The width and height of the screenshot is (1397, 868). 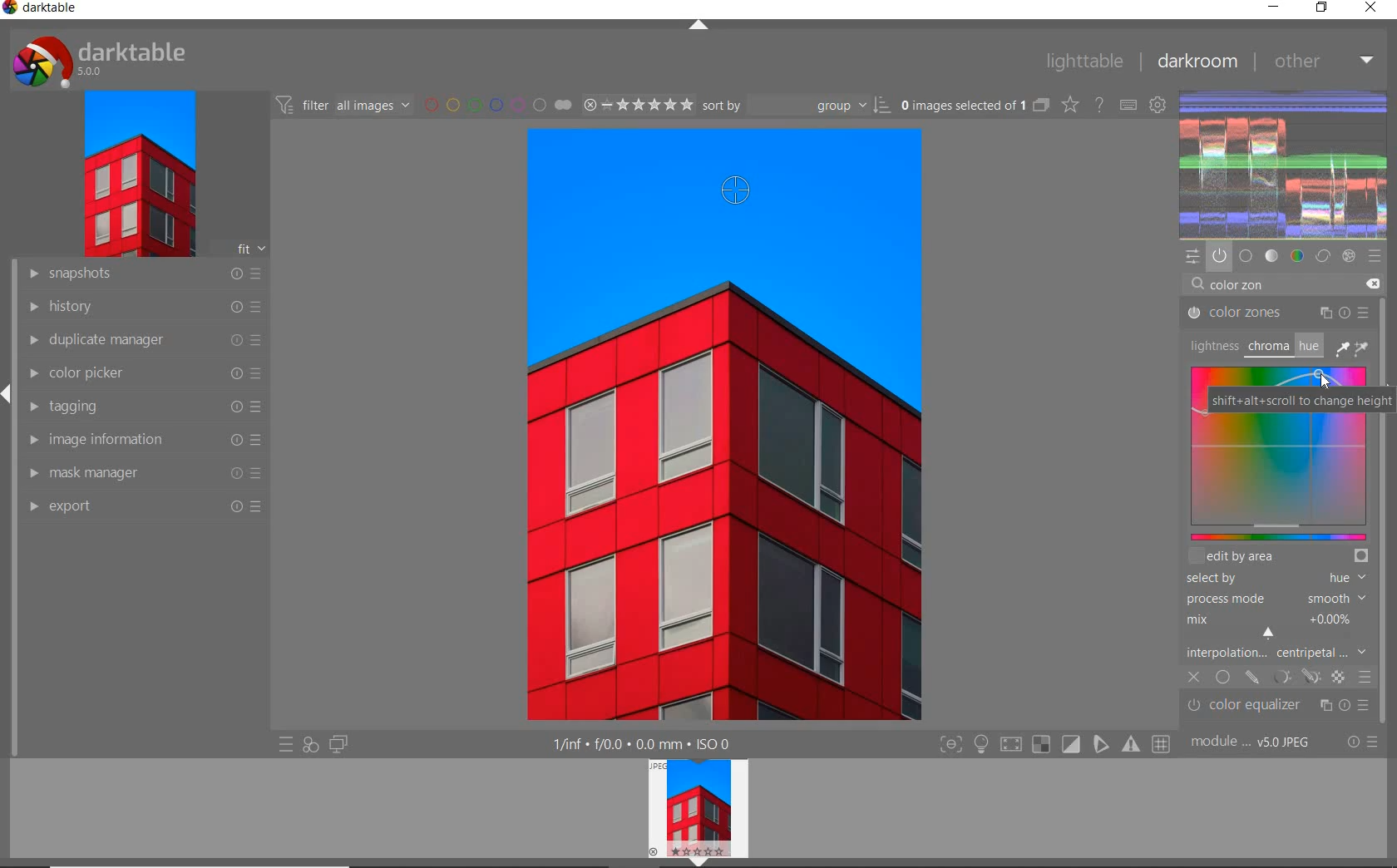 What do you see at coordinates (950, 745) in the screenshot?
I see `focus` at bounding box center [950, 745].